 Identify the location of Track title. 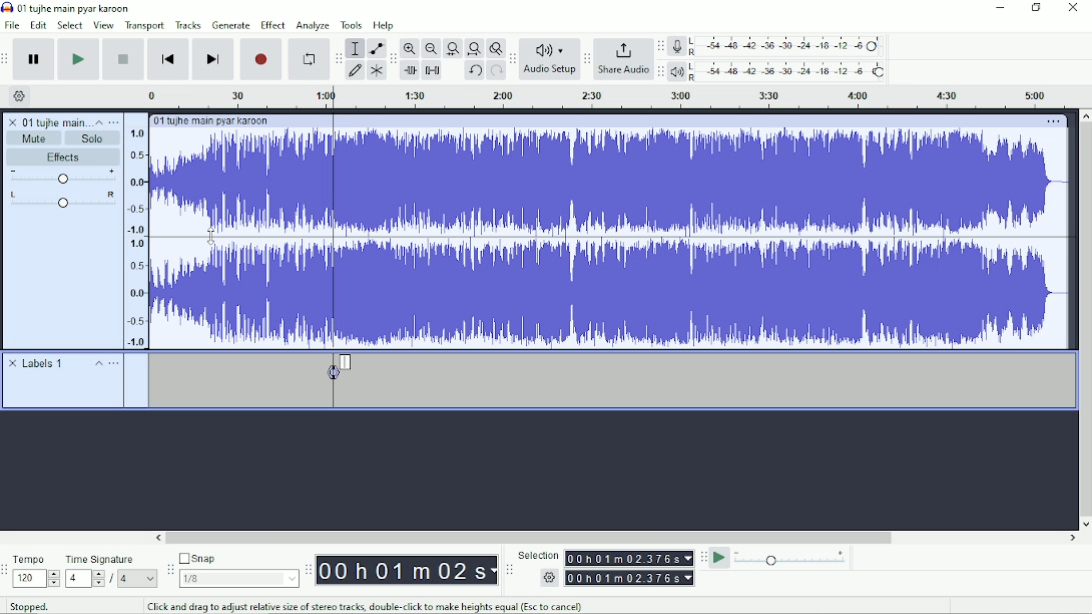
(44, 120).